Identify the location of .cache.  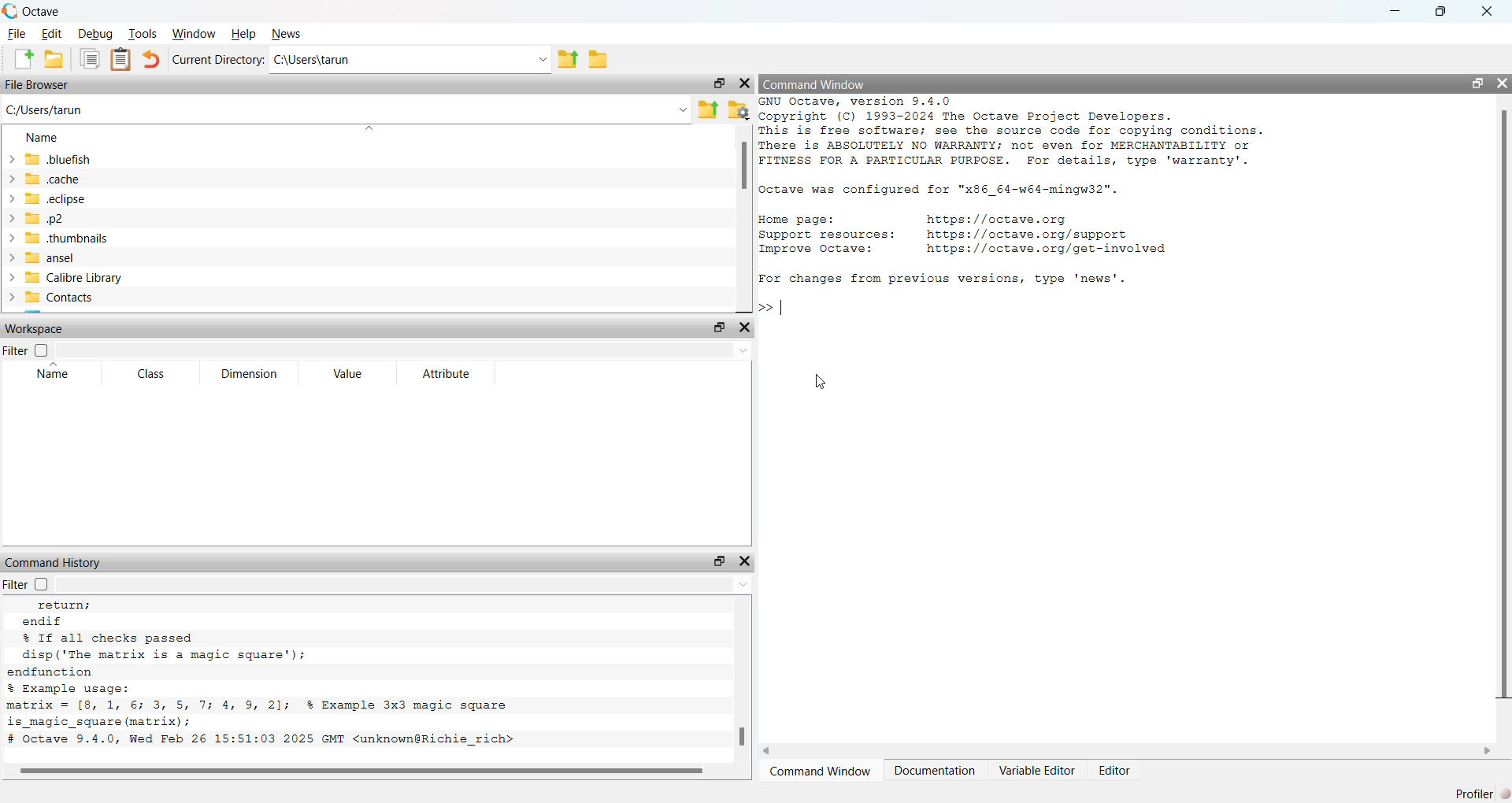
(43, 178).